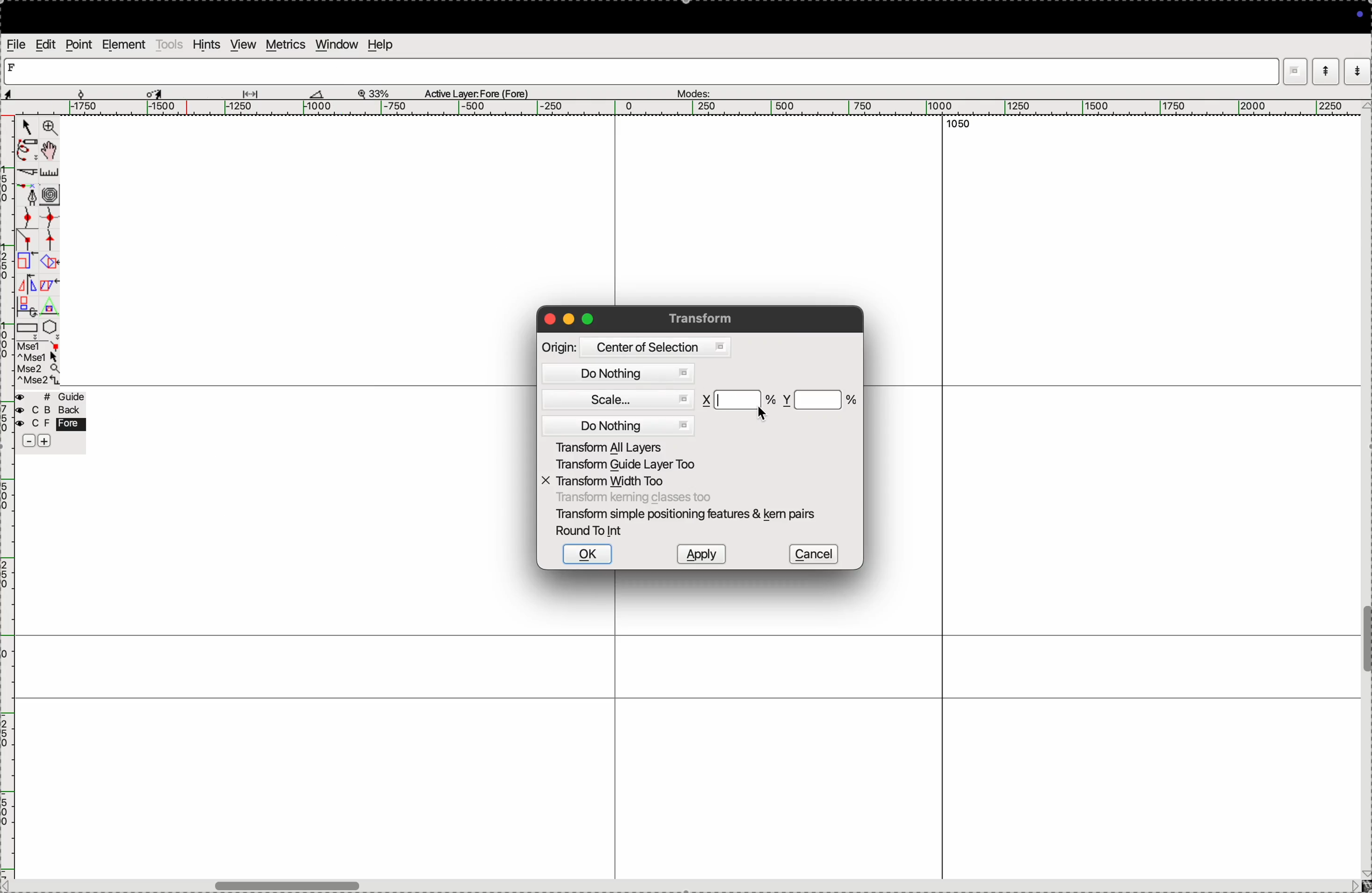  I want to click on toogle, so click(311, 883).